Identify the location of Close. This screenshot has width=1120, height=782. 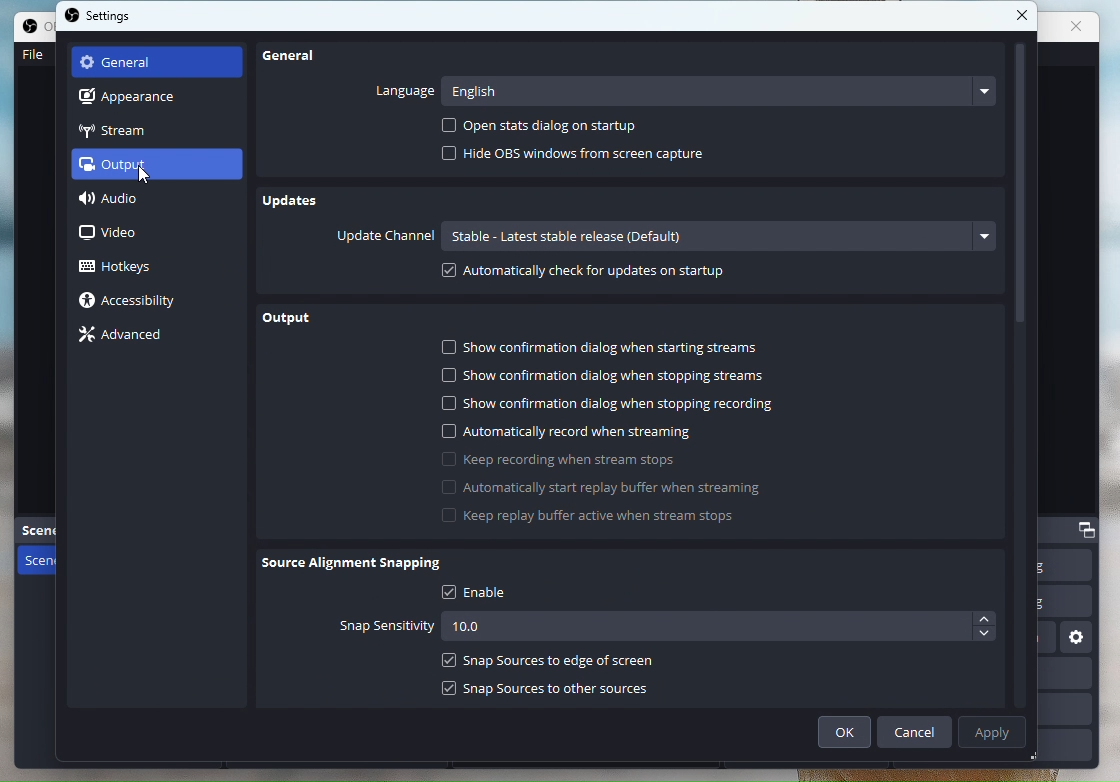
(1025, 17).